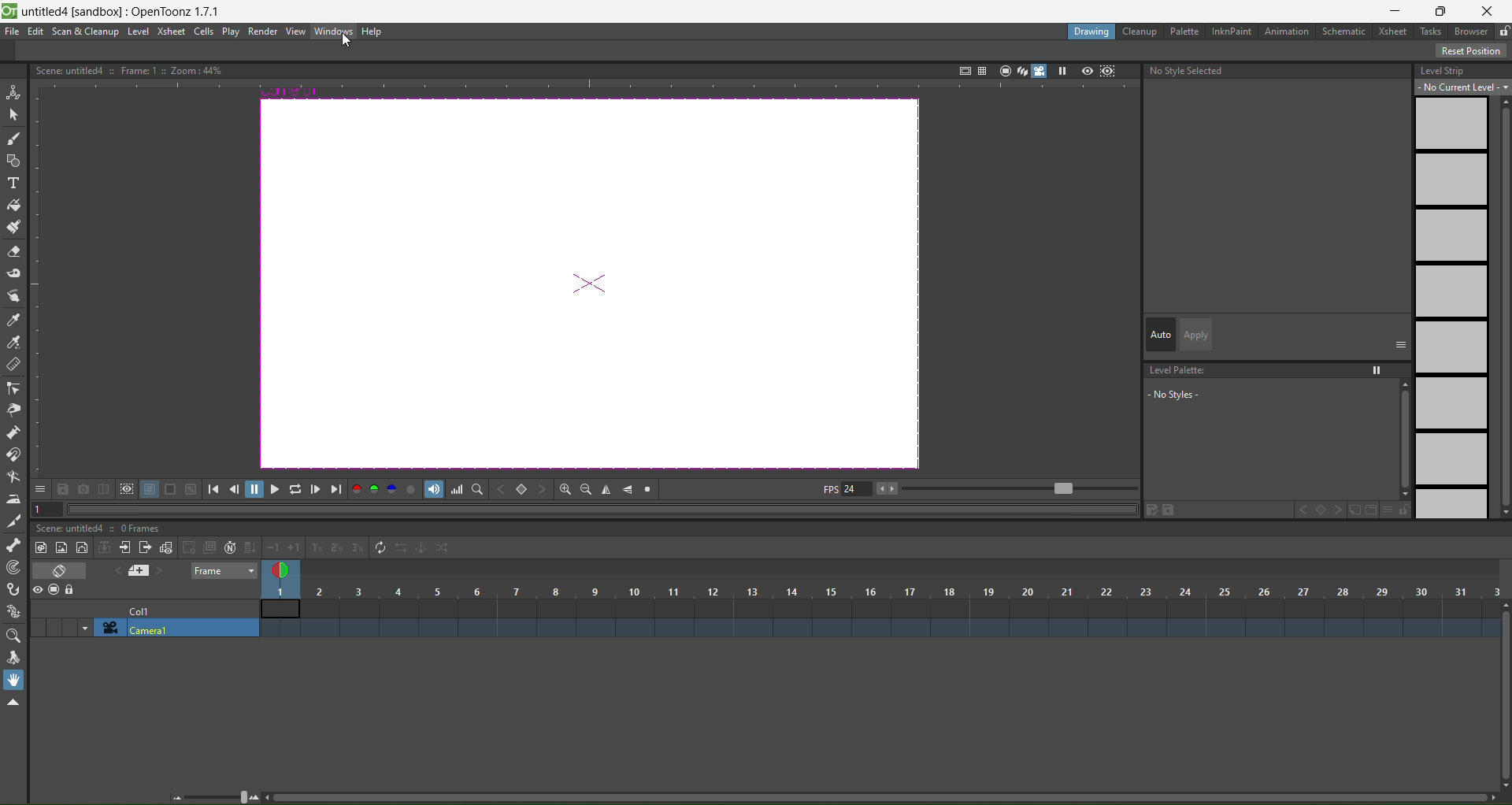  What do you see at coordinates (1091, 32) in the screenshot?
I see `drawing` at bounding box center [1091, 32].